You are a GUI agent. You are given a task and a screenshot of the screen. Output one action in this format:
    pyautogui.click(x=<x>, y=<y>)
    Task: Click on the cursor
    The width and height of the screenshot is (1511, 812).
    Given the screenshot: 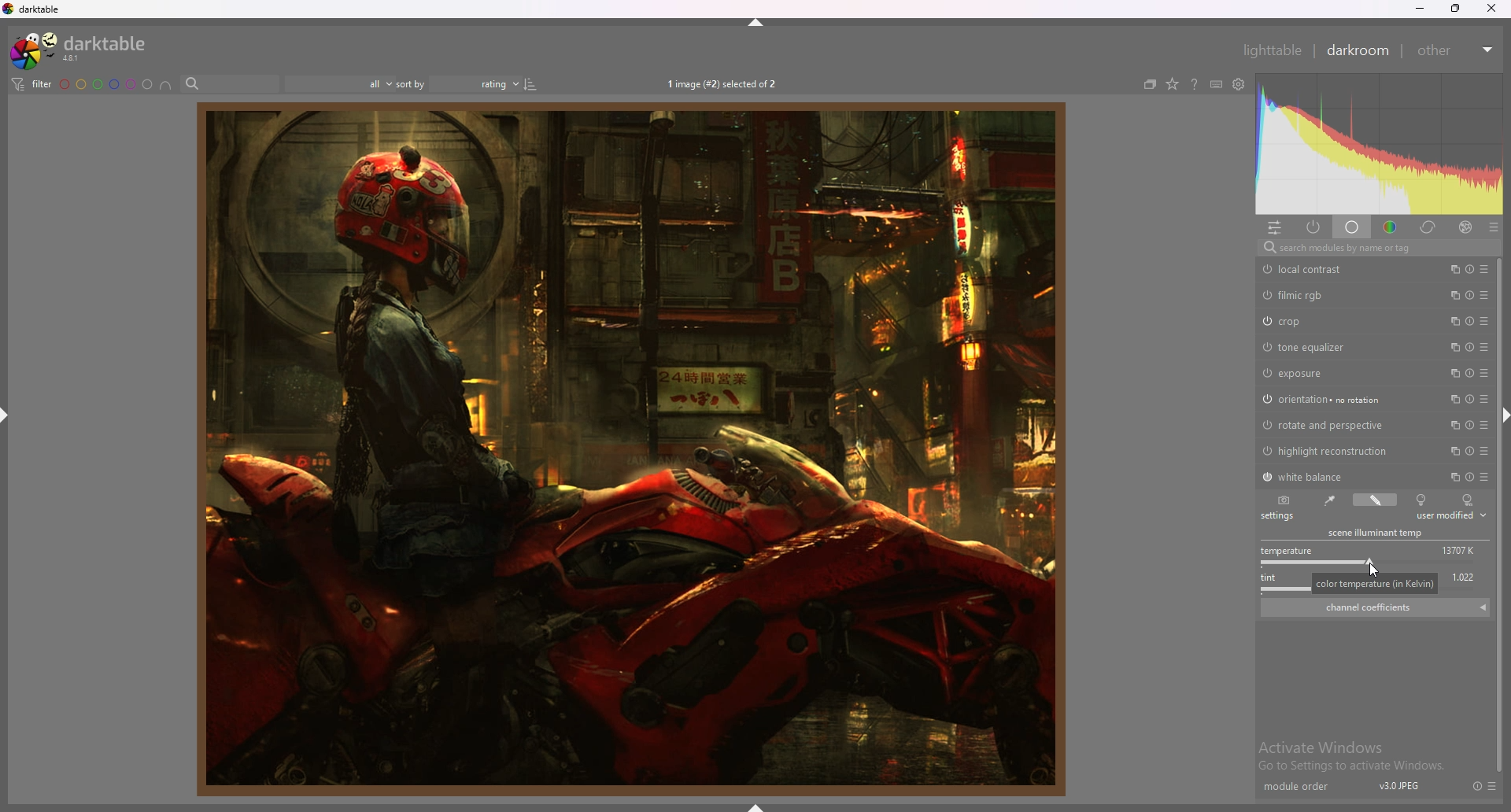 What is the action you would take?
    pyautogui.click(x=1374, y=569)
    